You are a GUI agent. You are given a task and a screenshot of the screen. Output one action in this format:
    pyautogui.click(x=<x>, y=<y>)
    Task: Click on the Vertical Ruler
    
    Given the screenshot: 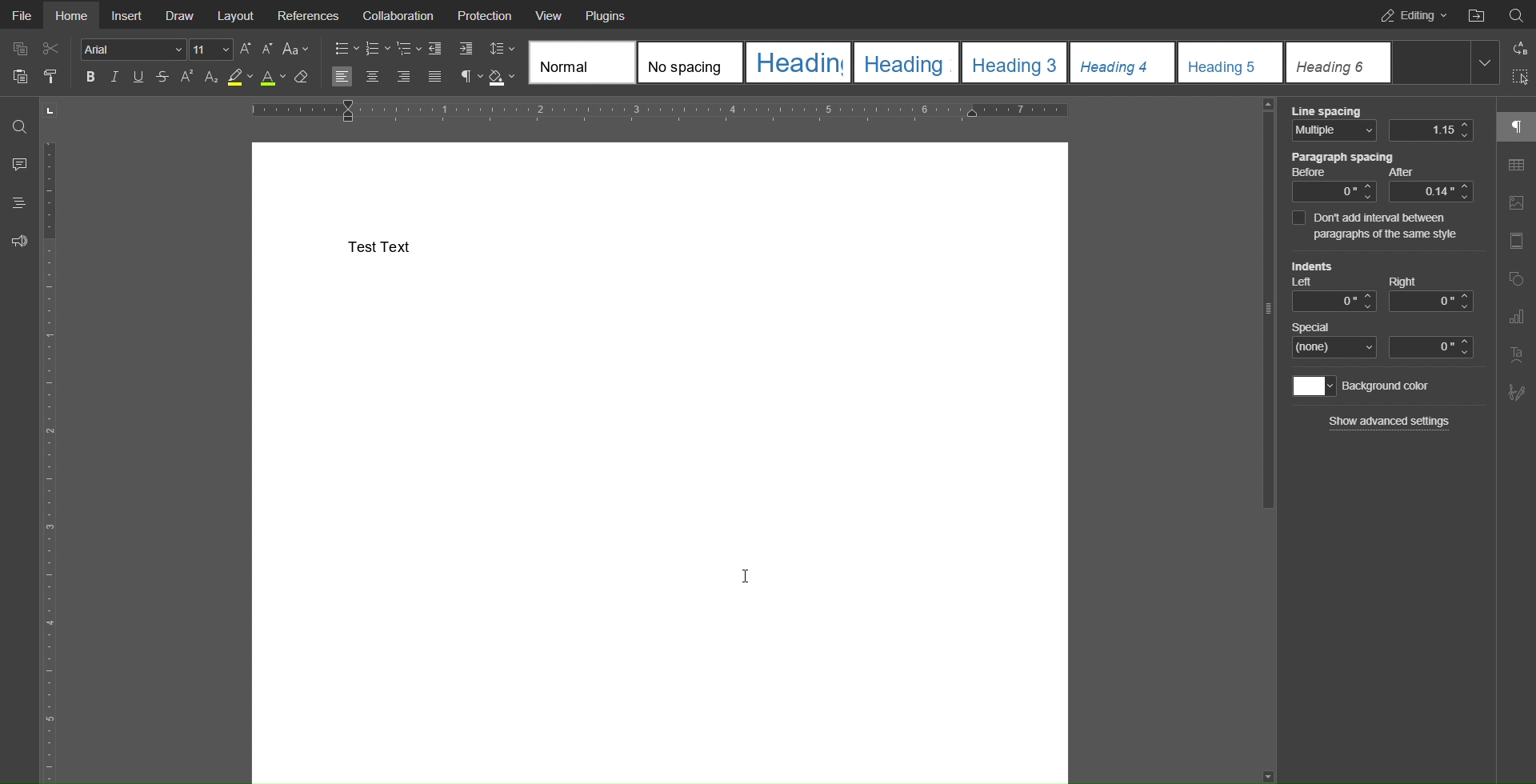 What is the action you would take?
    pyautogui.click(x=55, y=458)
    